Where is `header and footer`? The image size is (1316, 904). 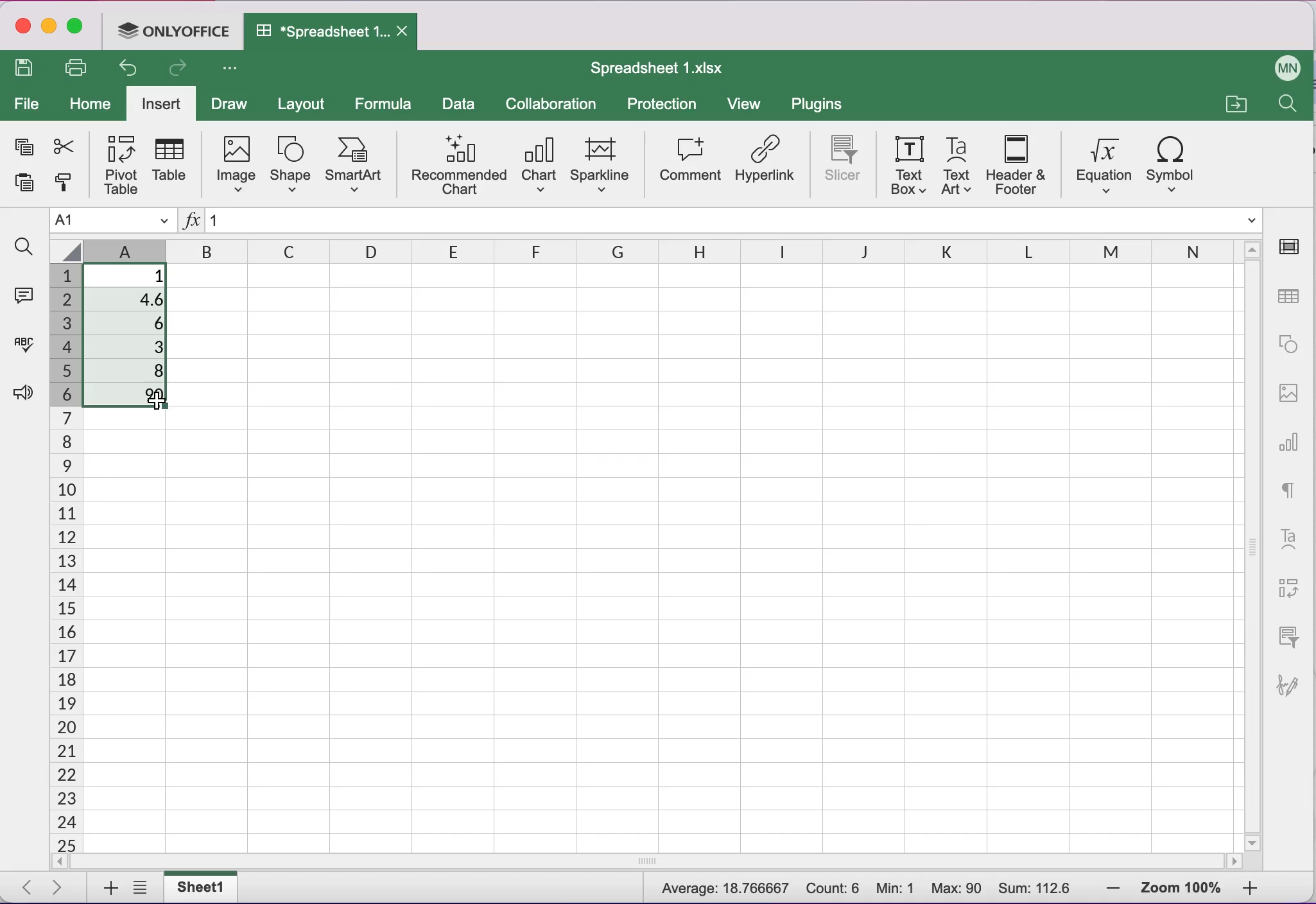 header and footer is located at coordinates (1016, 165).